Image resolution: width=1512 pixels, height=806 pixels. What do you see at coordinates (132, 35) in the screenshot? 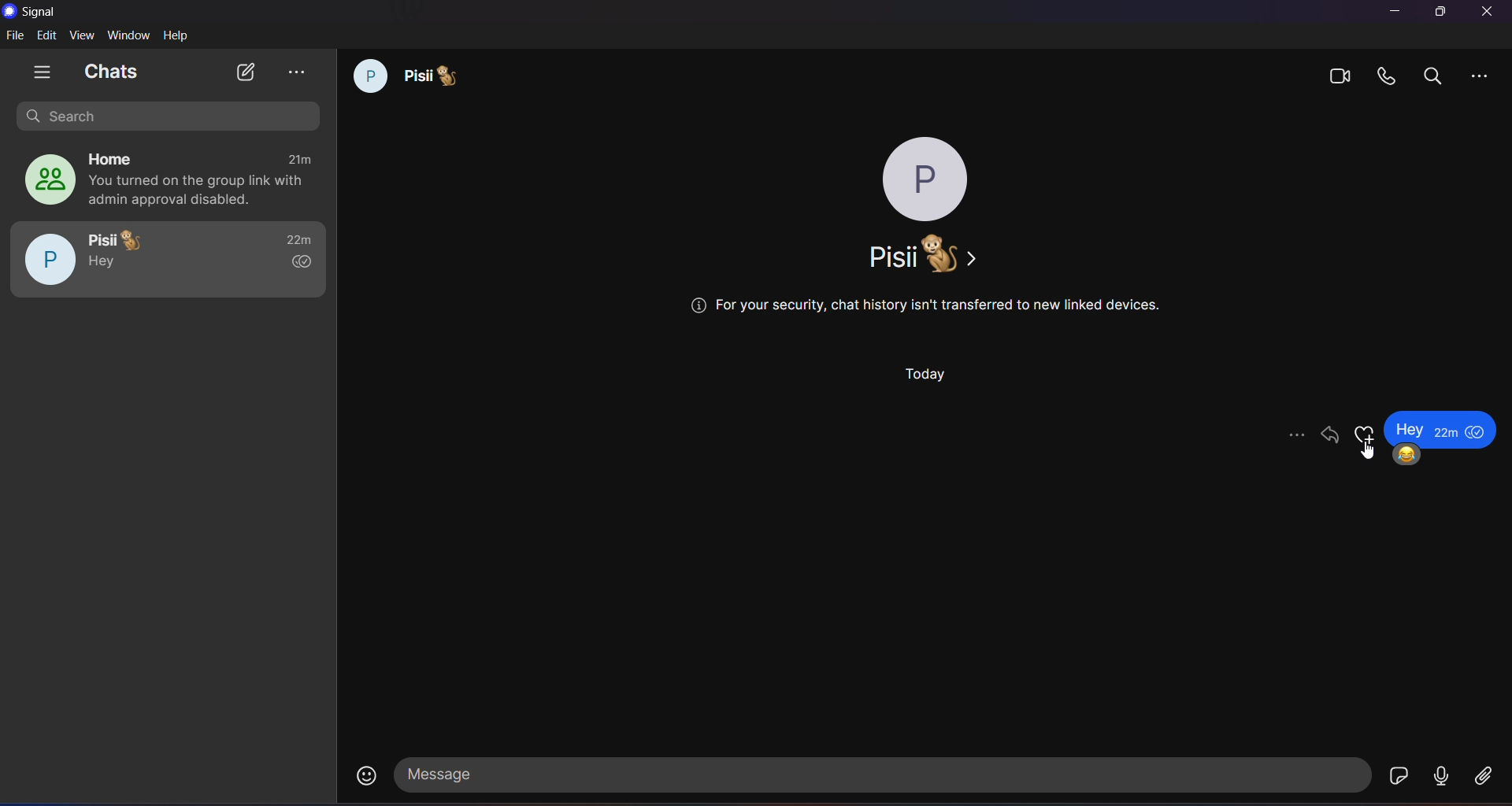
I see `window` at bounding box center [132, 35].